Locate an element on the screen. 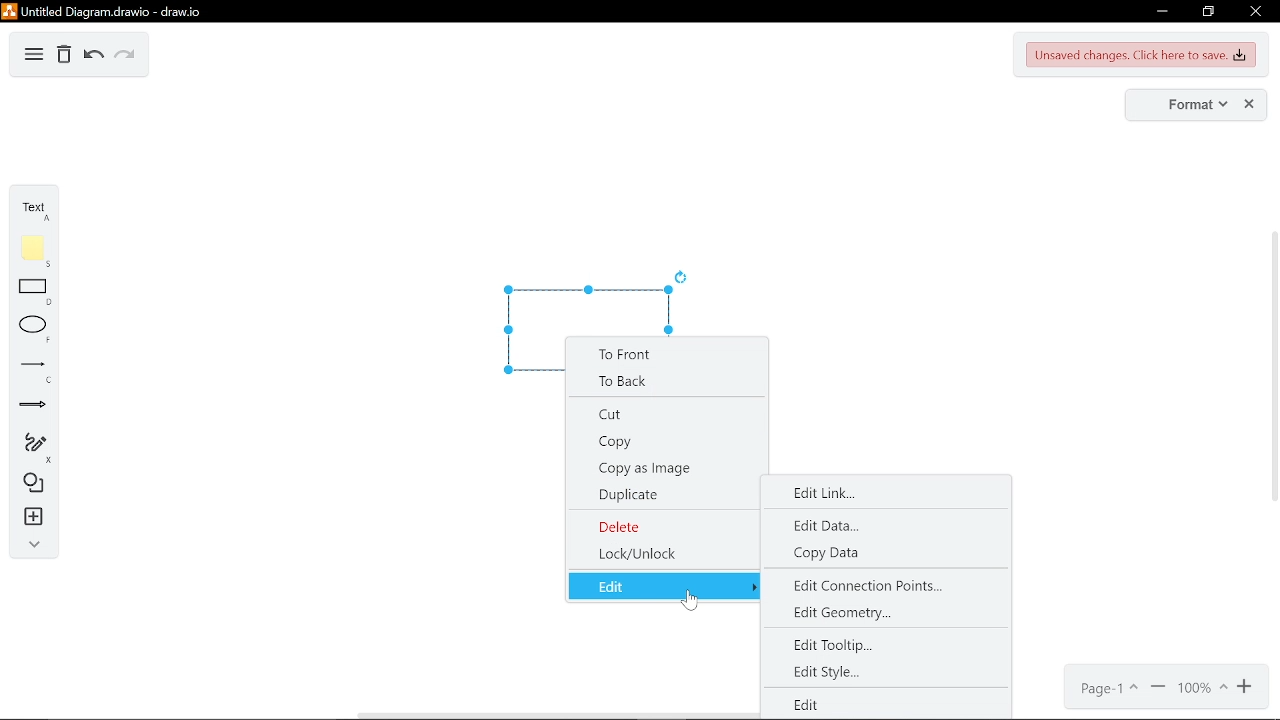 Image resolution: width=1280 pixels, height=720 pixels. draw.io logo is located at coordinates (10, 11).